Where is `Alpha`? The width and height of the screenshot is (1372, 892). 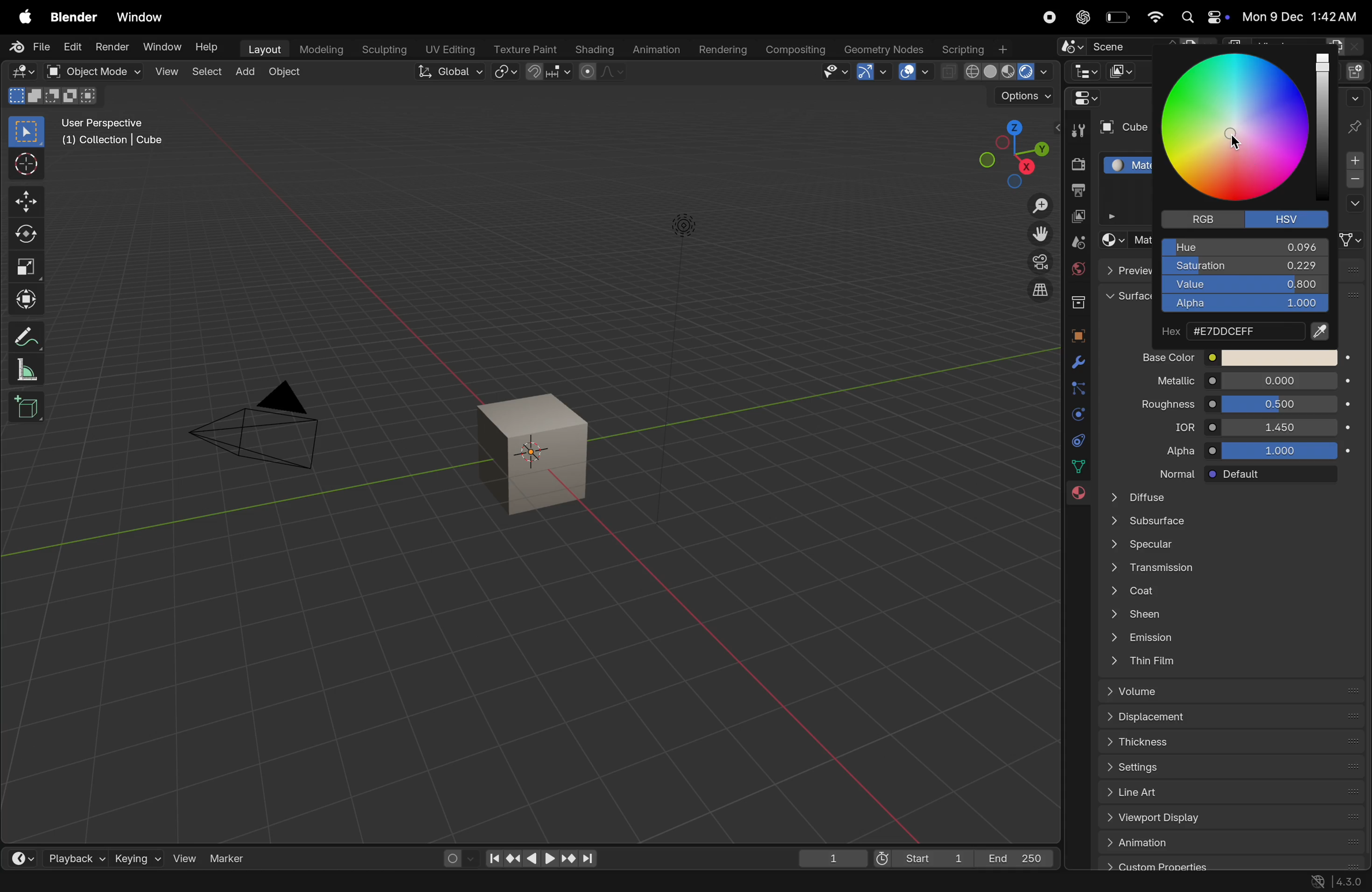 Alpha is located at coordinates (1243, 305).